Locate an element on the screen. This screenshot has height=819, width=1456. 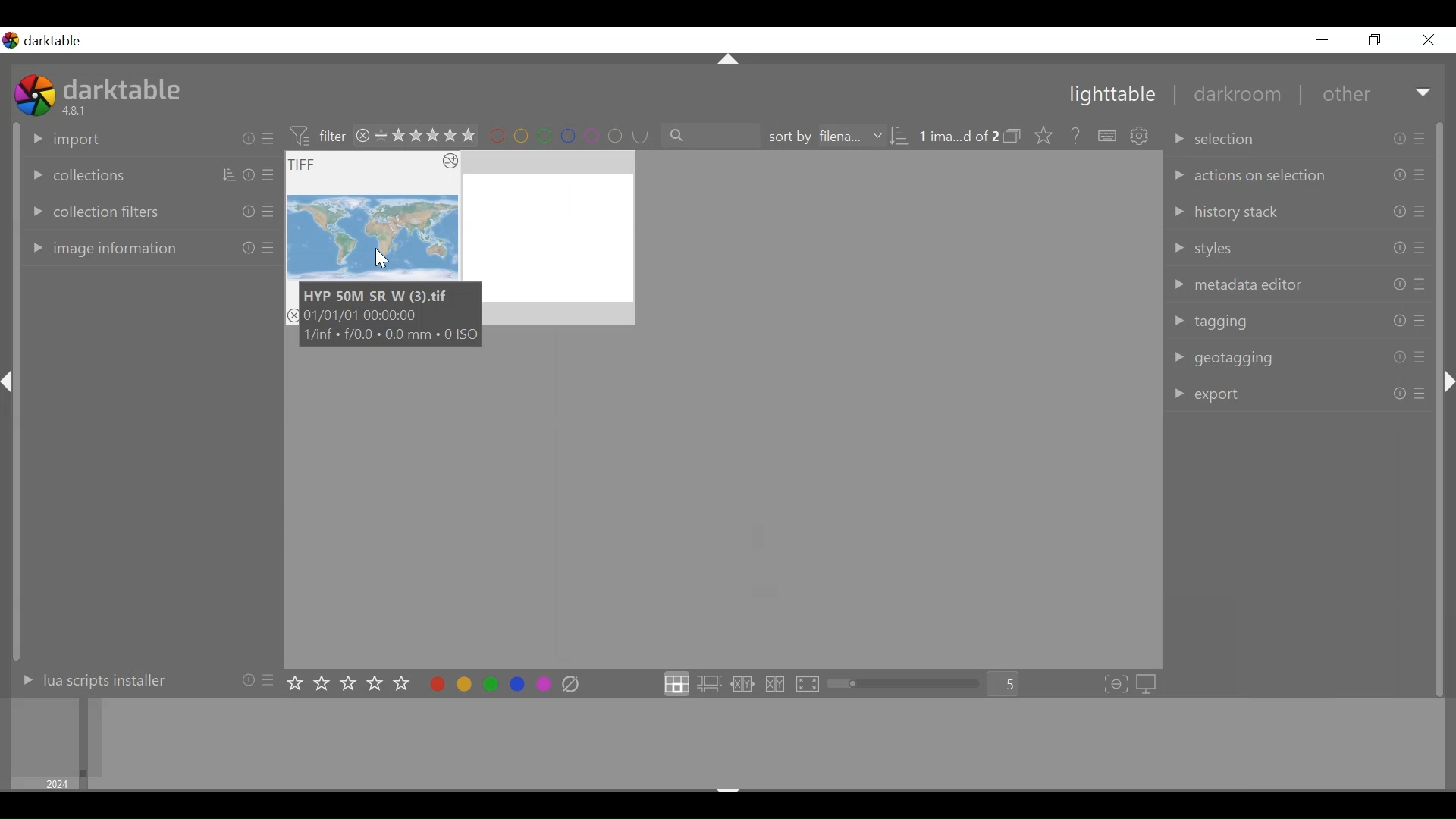
search is located at coordinates (711, 134).